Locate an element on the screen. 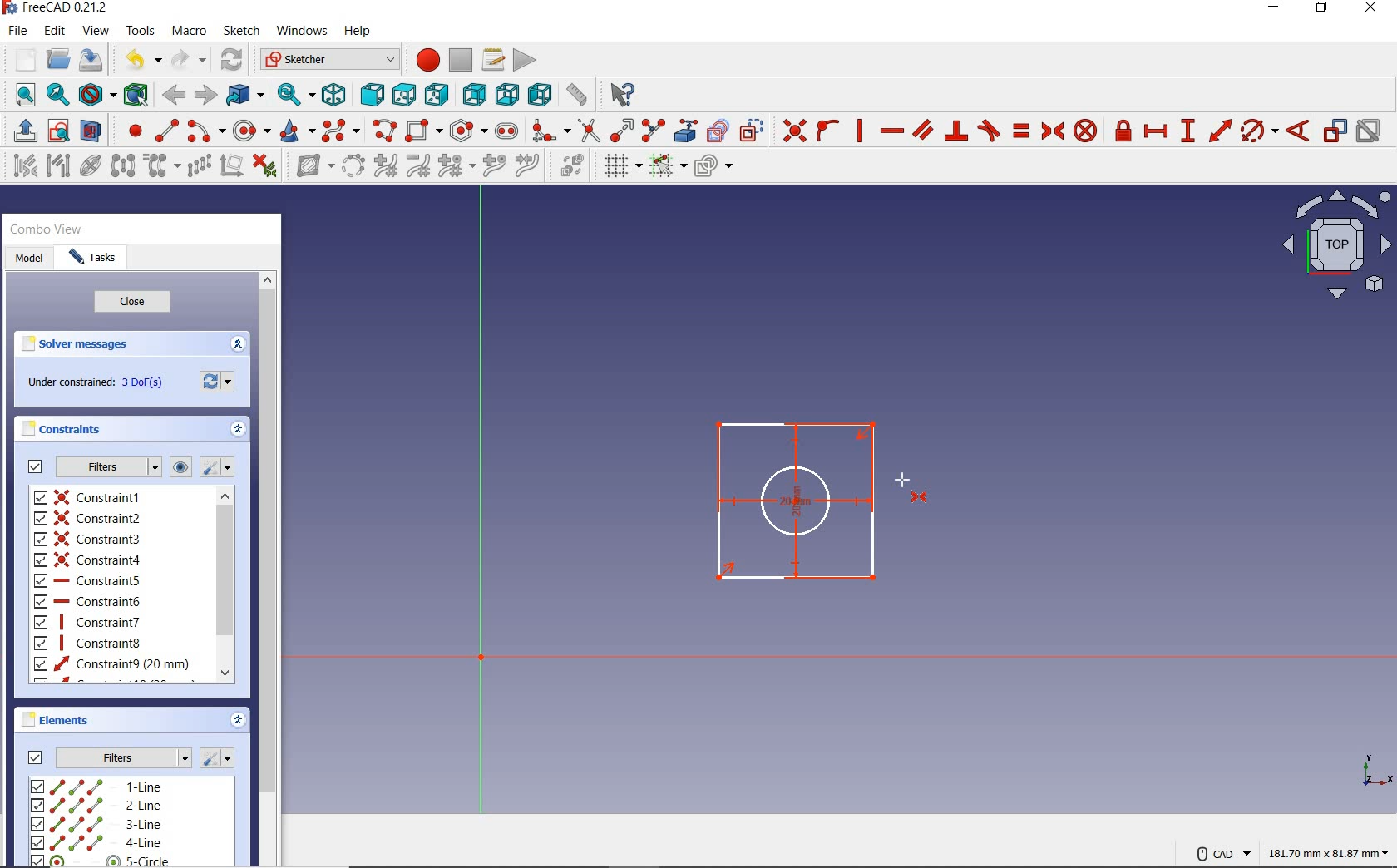  constraint6 is located at coordinates (87, 601).